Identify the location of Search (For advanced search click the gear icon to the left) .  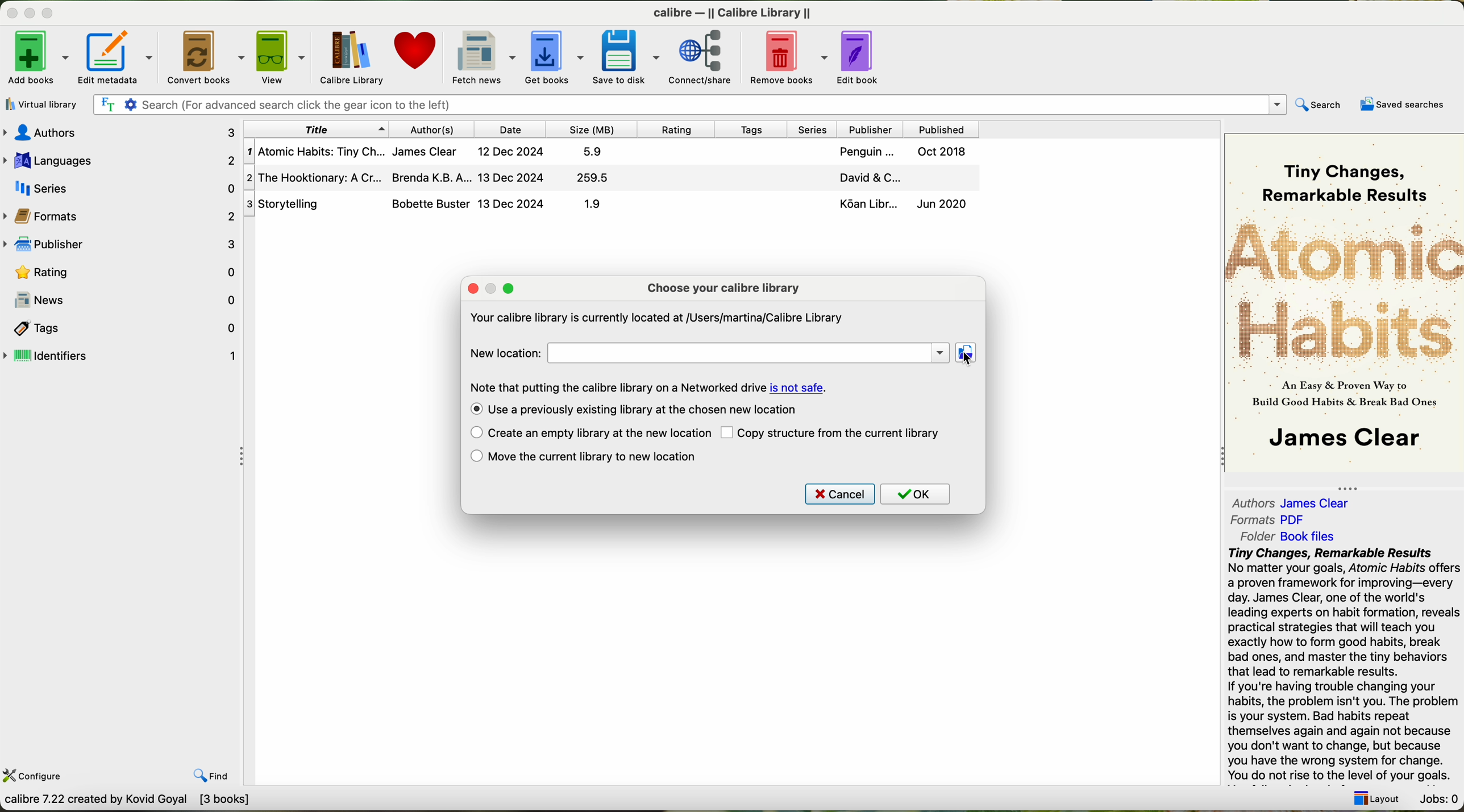
(690, 104).